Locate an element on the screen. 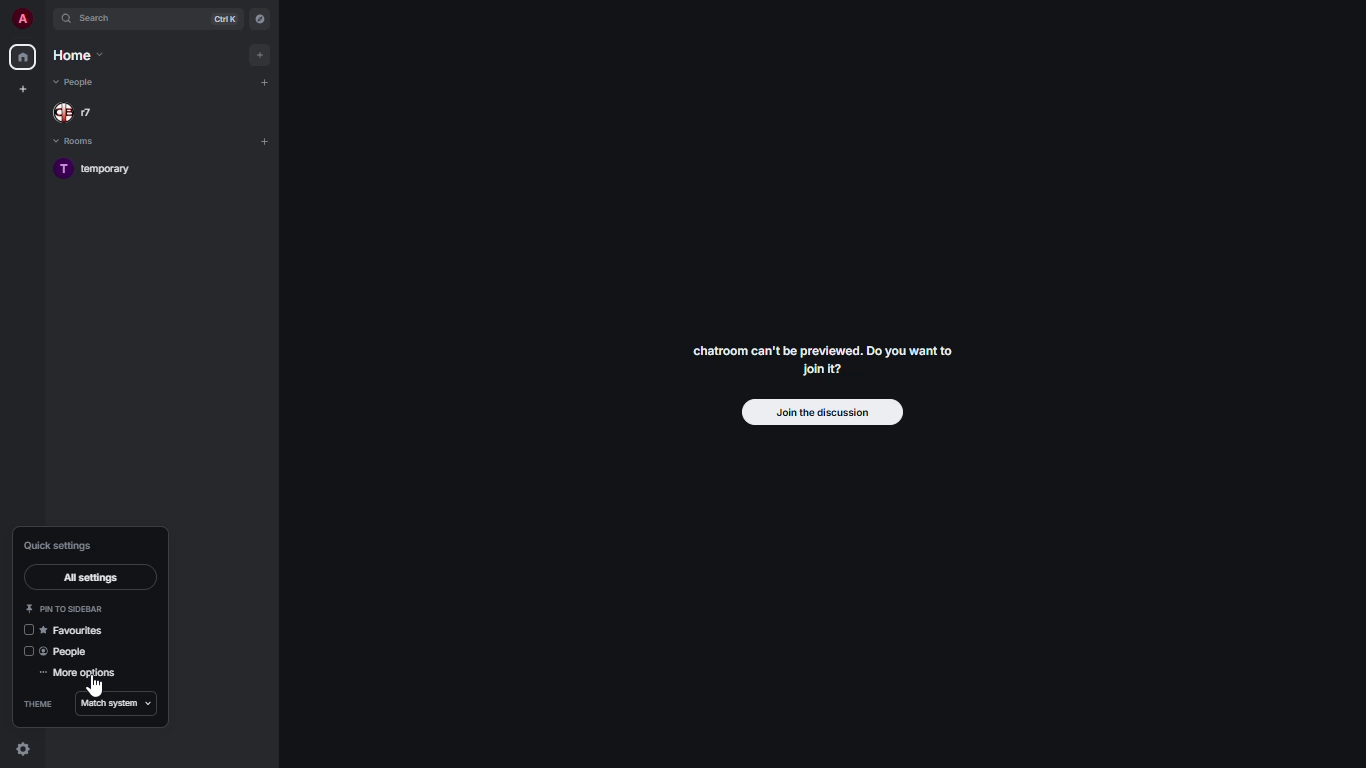 The width and height of the screenshot is (1366, 768). navigator is located at coordinates (258, 19).